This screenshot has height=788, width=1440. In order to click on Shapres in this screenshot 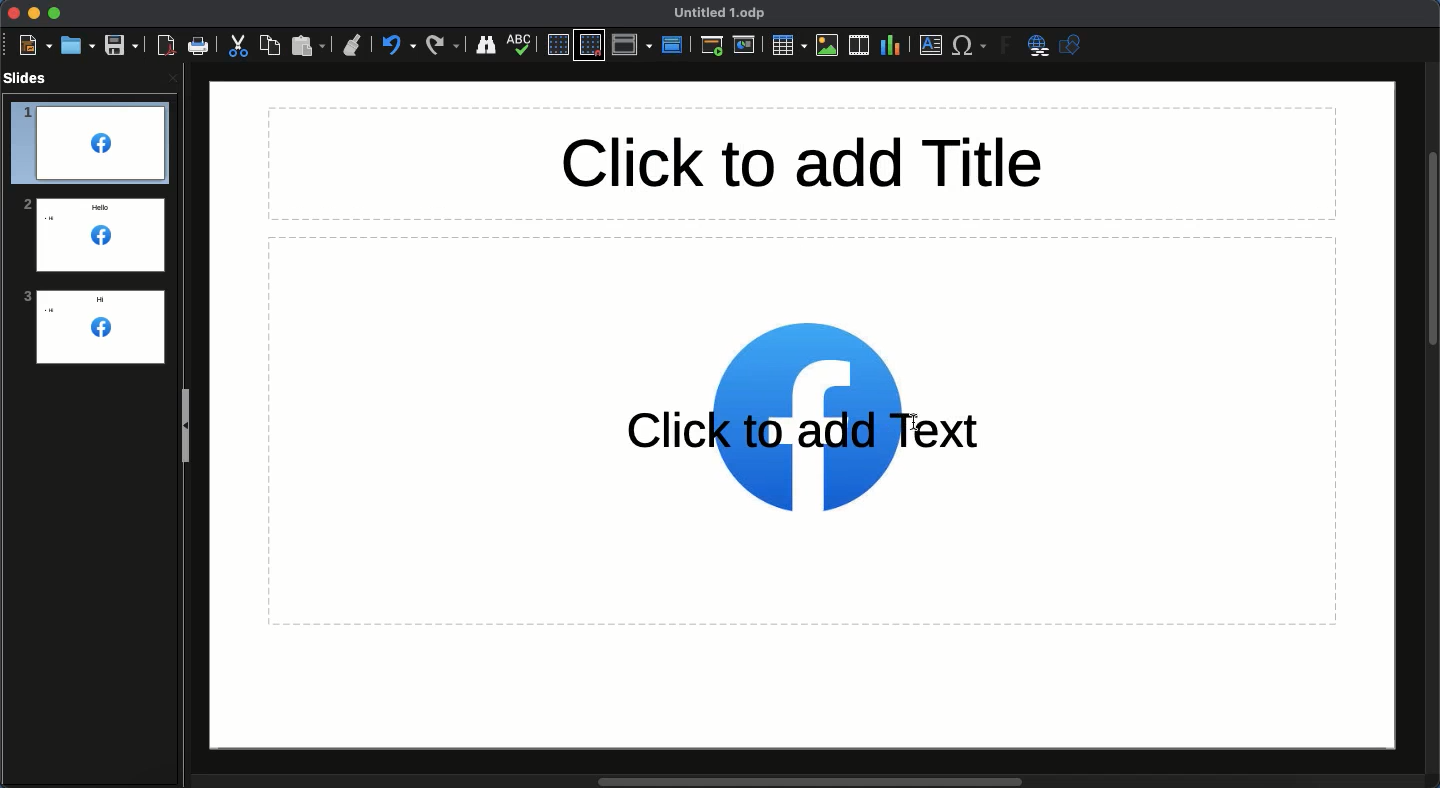, I will do `click(1074, 45)`.